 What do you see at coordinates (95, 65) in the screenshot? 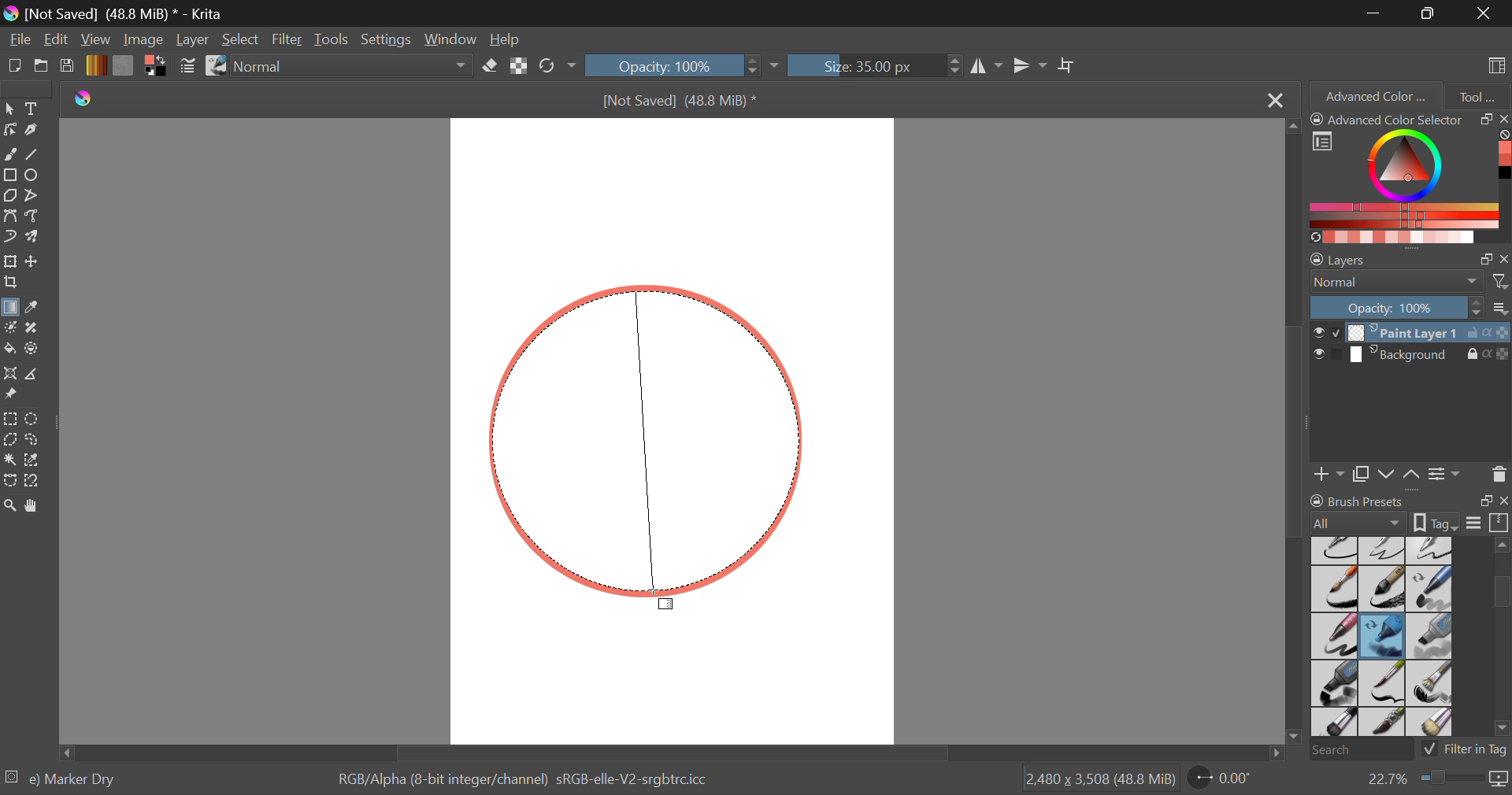
I see `Gradient` at bounding box center [95, 65].